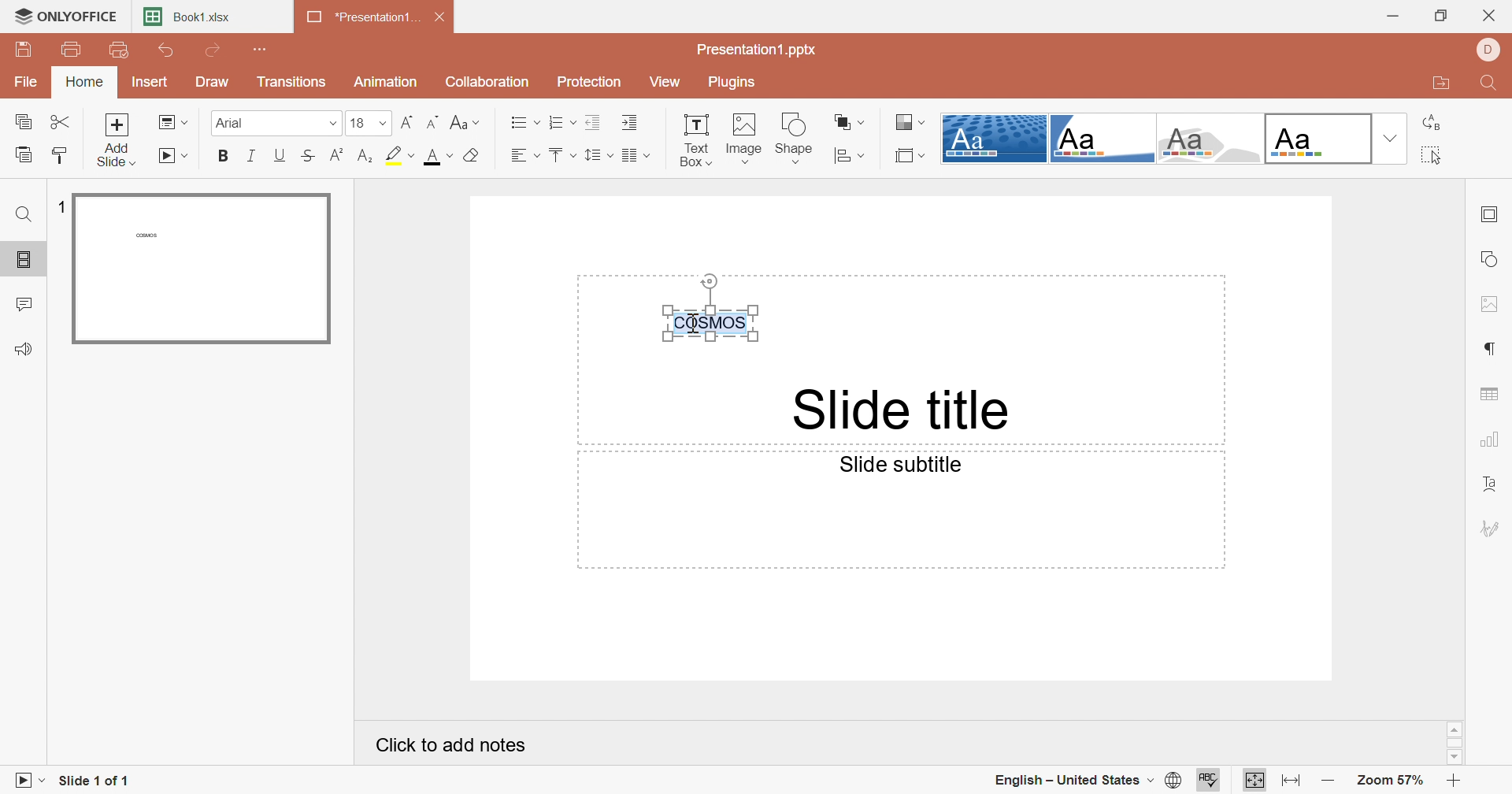 This screenshot has width=1512, height=794. What do you see at coordinates (662, 80) in the screenshot?
I see `View` at bounding box center [662, 80].